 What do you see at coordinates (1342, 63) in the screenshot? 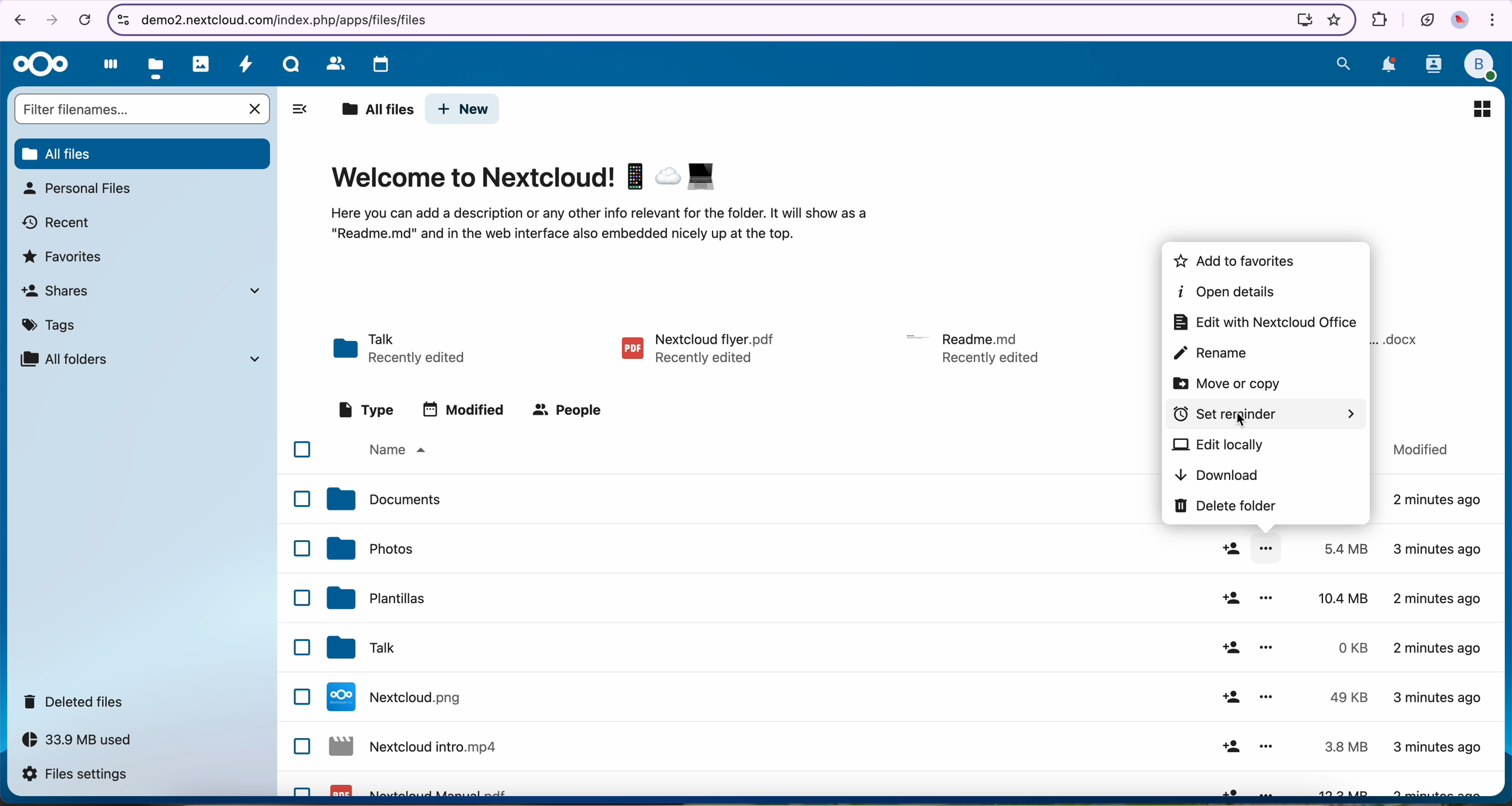
I see `search` at bounding box center [1342, 63].